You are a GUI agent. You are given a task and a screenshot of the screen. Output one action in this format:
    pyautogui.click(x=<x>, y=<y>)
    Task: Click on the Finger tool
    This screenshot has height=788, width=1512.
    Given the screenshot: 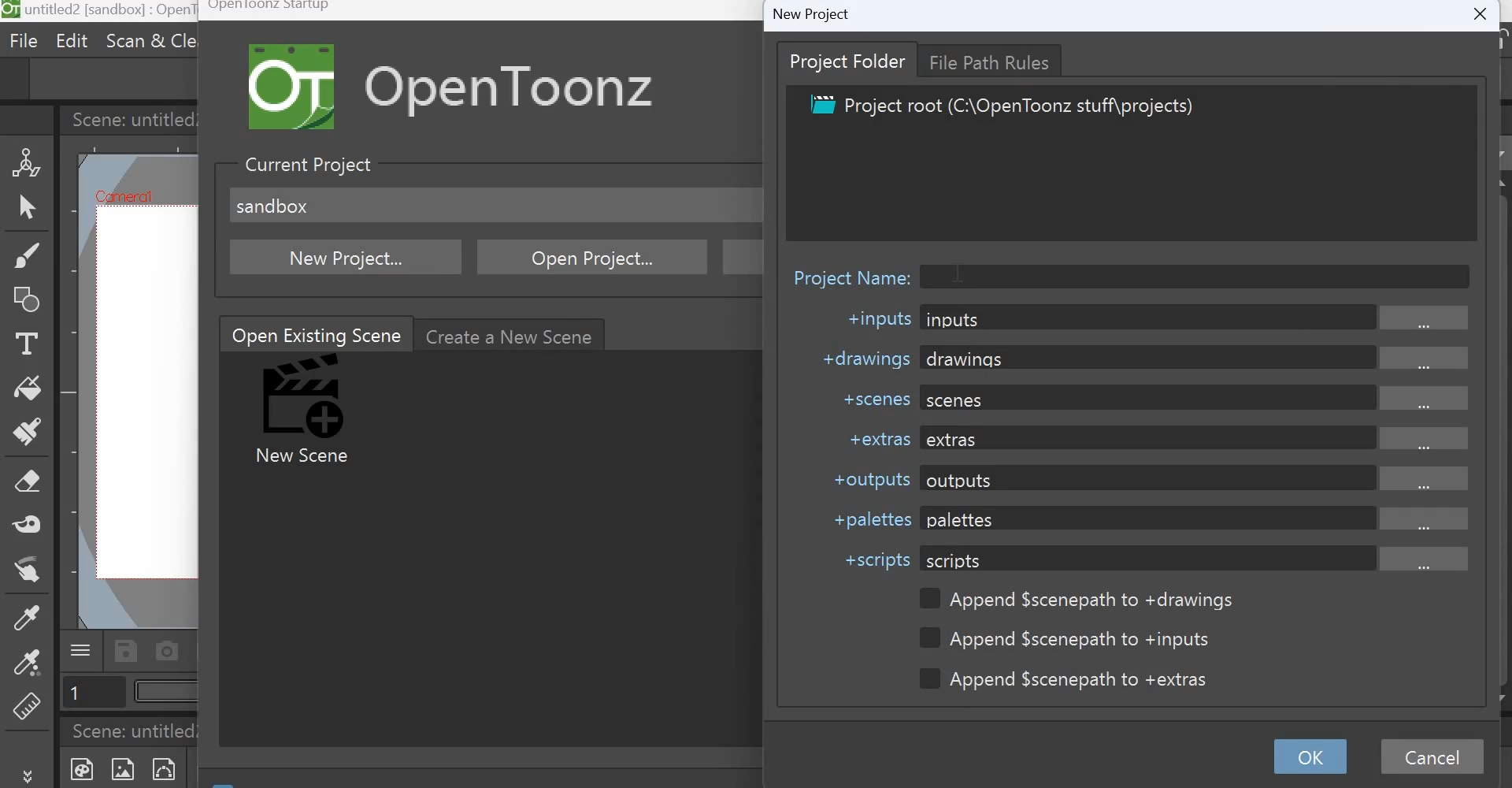 What is the action you would take?
    pyautogui.click(x=33, y=575)
    